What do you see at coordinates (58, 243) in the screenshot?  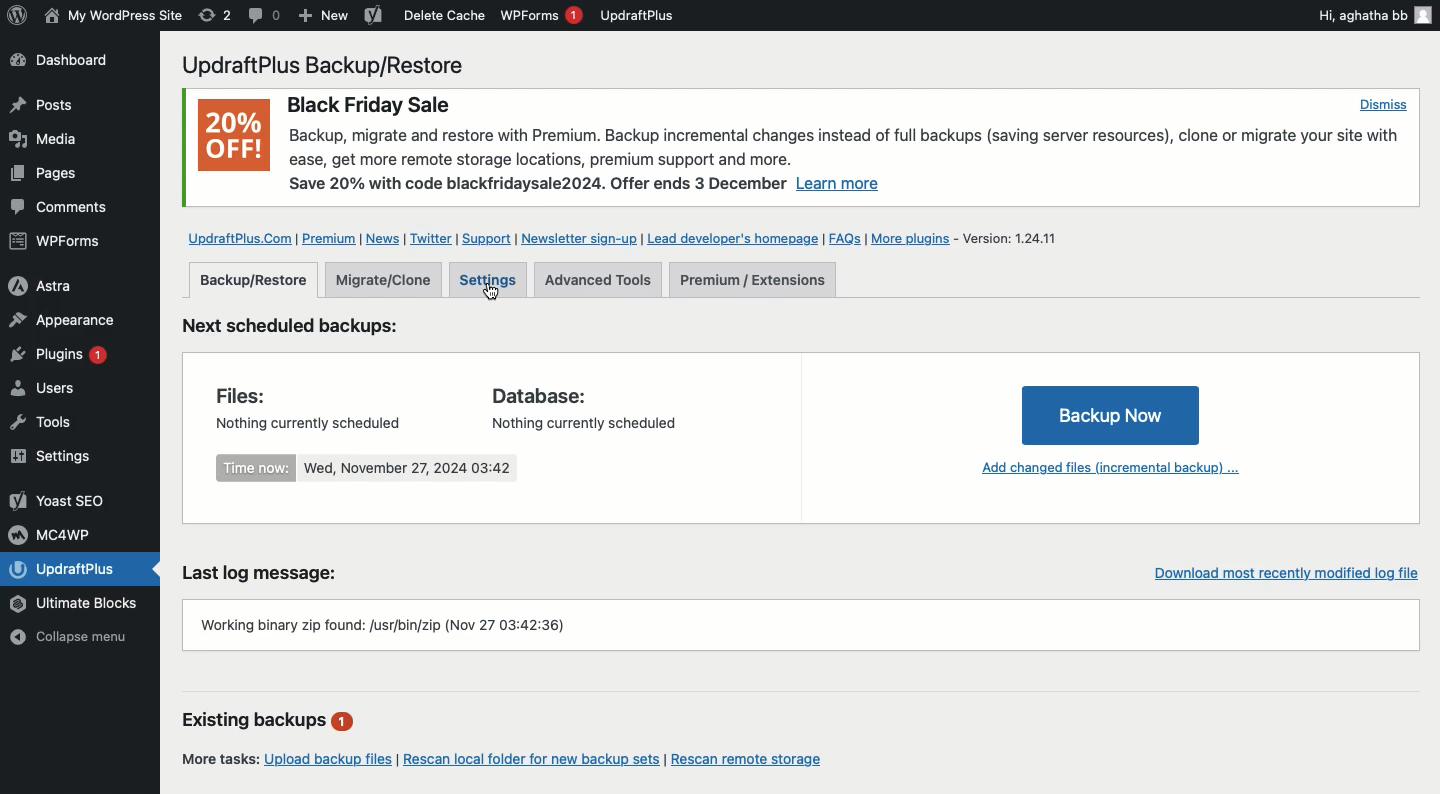 I see `WPForms` at bounding box center [58, 243].